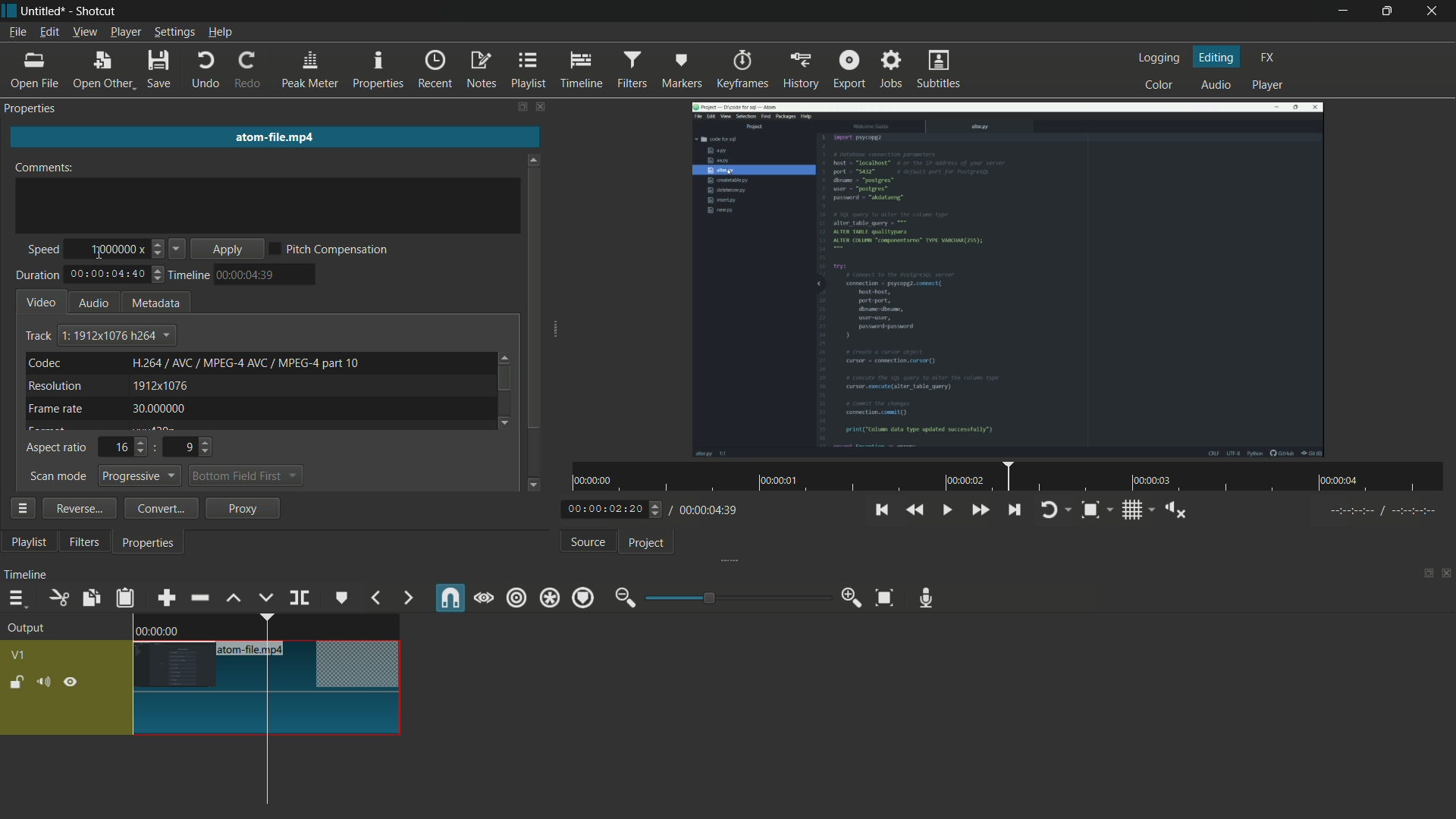  Describe the element at coordinates (249, 70) in the screenshot. I see `redo` at that location.